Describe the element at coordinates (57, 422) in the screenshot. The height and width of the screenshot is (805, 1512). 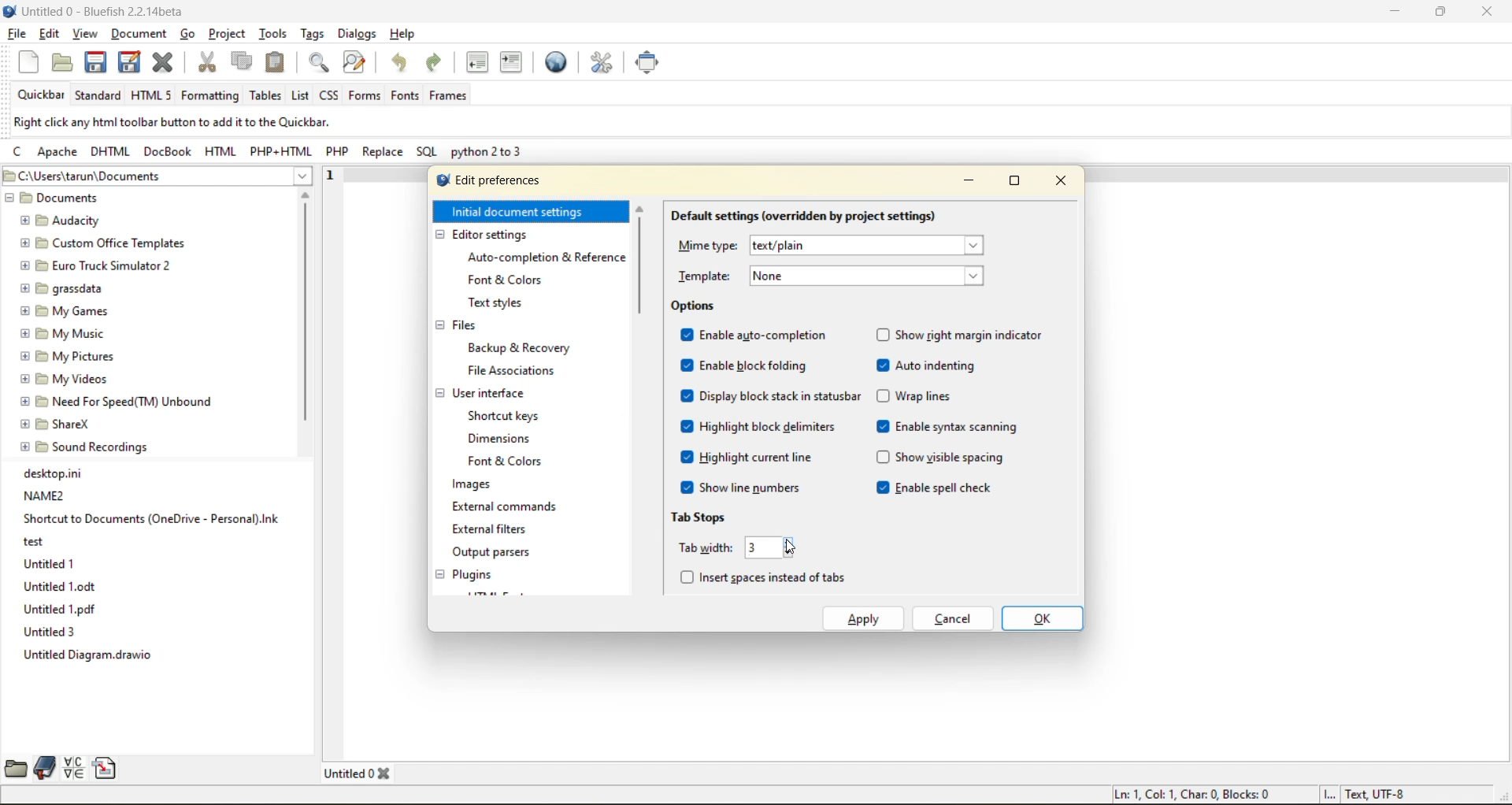
I see `® EB ShareX` at that location.